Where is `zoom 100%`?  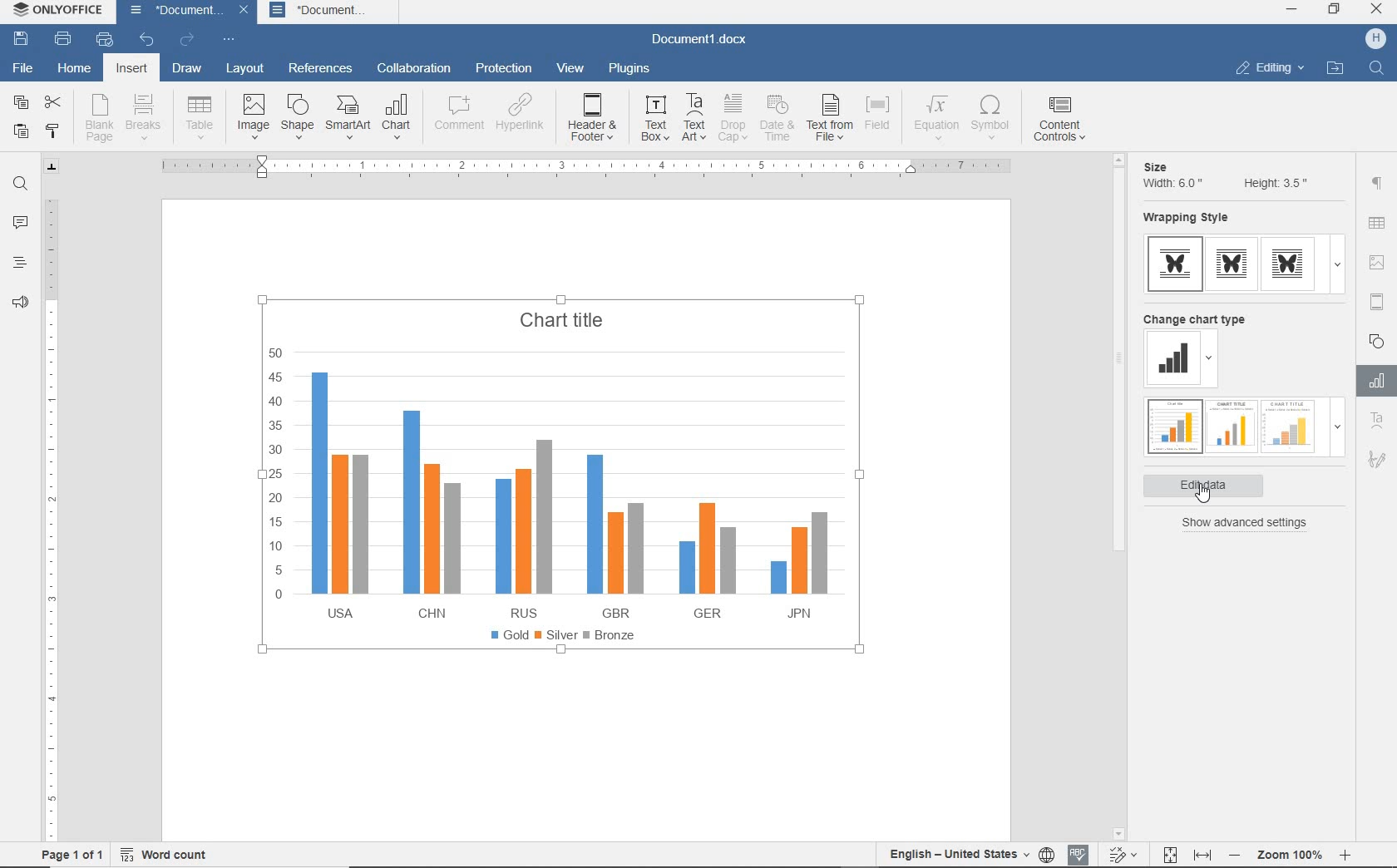 zoom 100% is located at coordinates (1293, 852).